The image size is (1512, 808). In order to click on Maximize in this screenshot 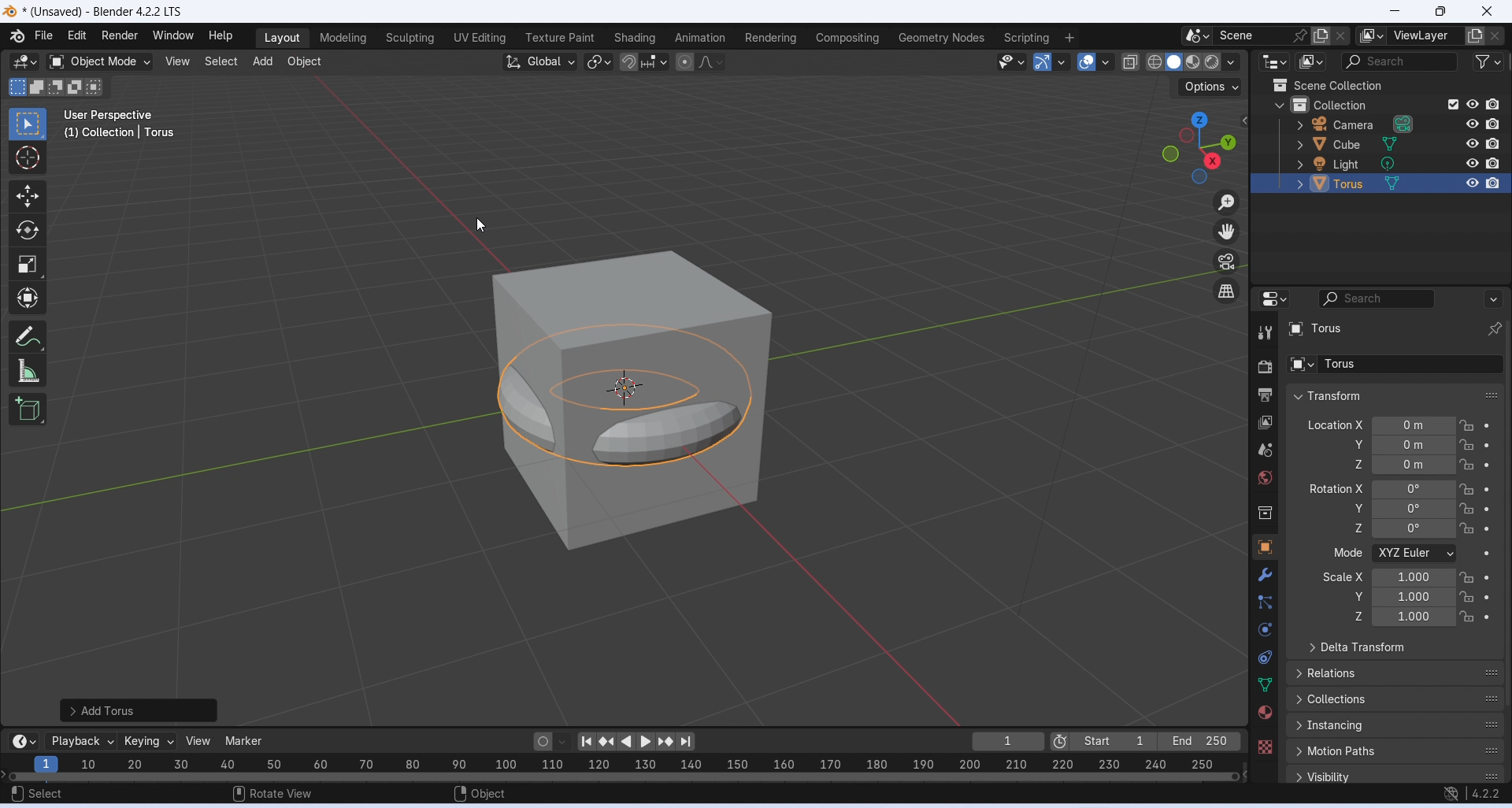, I will do `click(1439, 11)`.